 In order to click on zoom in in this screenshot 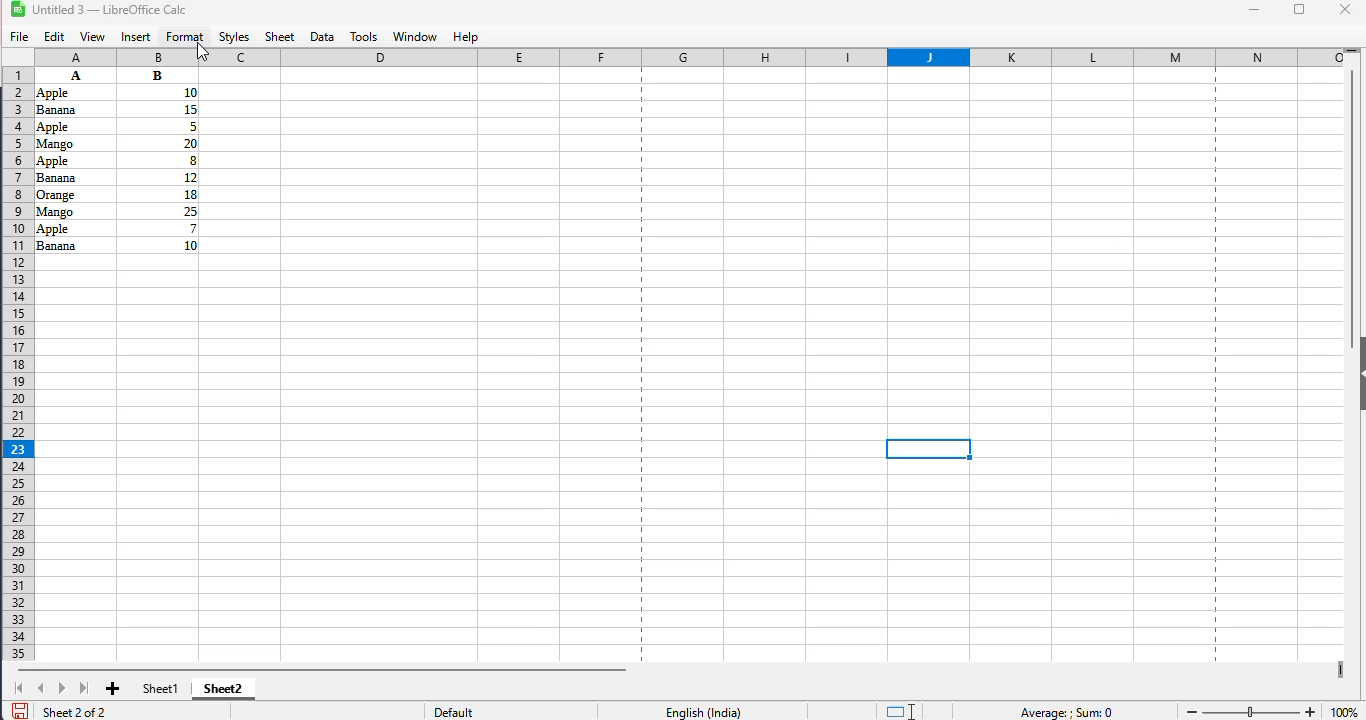, I will do `click(1311, 710)`.